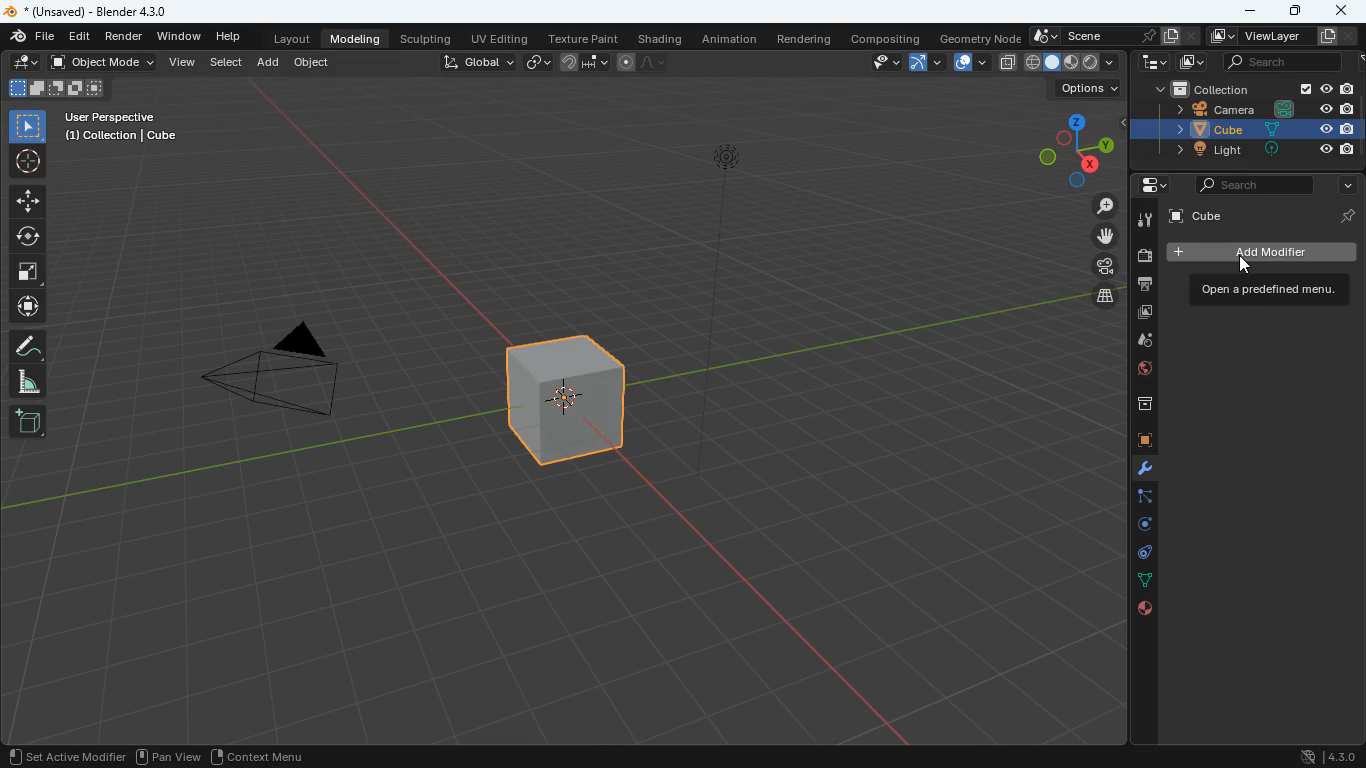  Describe the element at coordinates (39, 755) in the screenshot. I see `pan view` at that location.